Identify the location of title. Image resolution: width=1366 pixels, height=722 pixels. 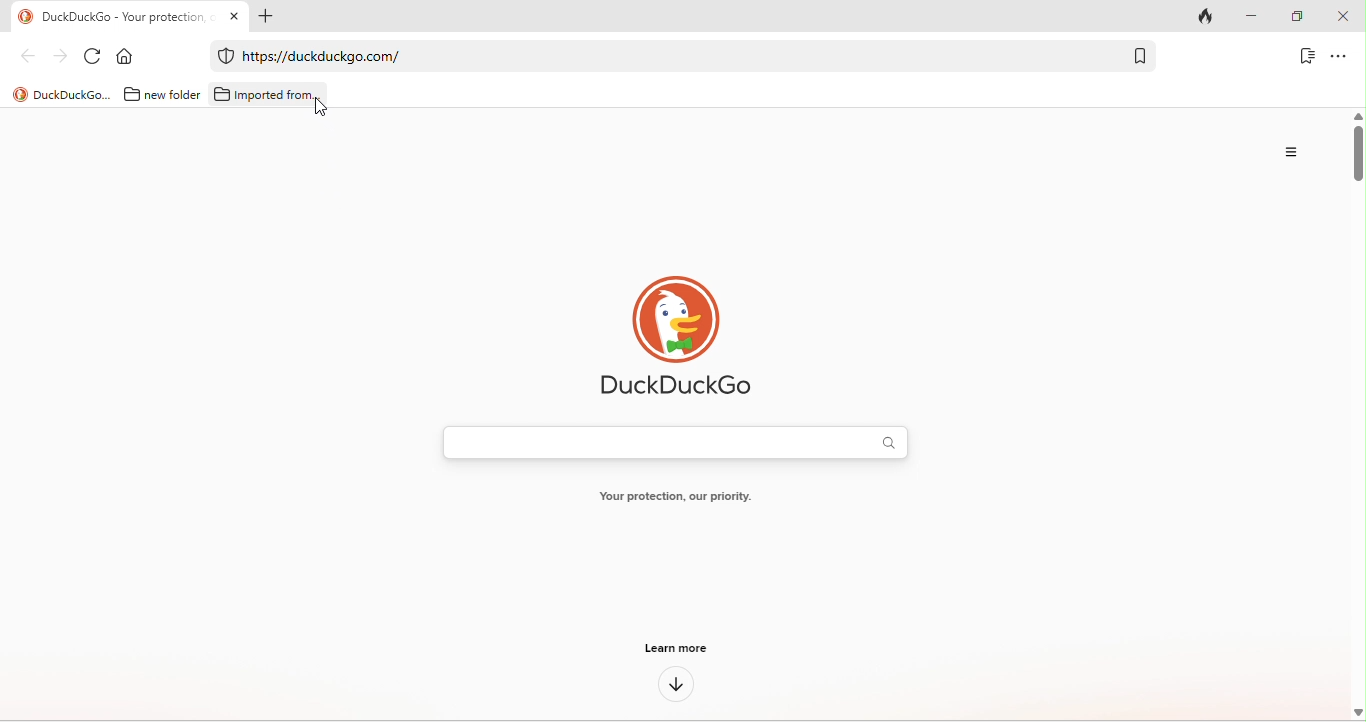
(58, 94).